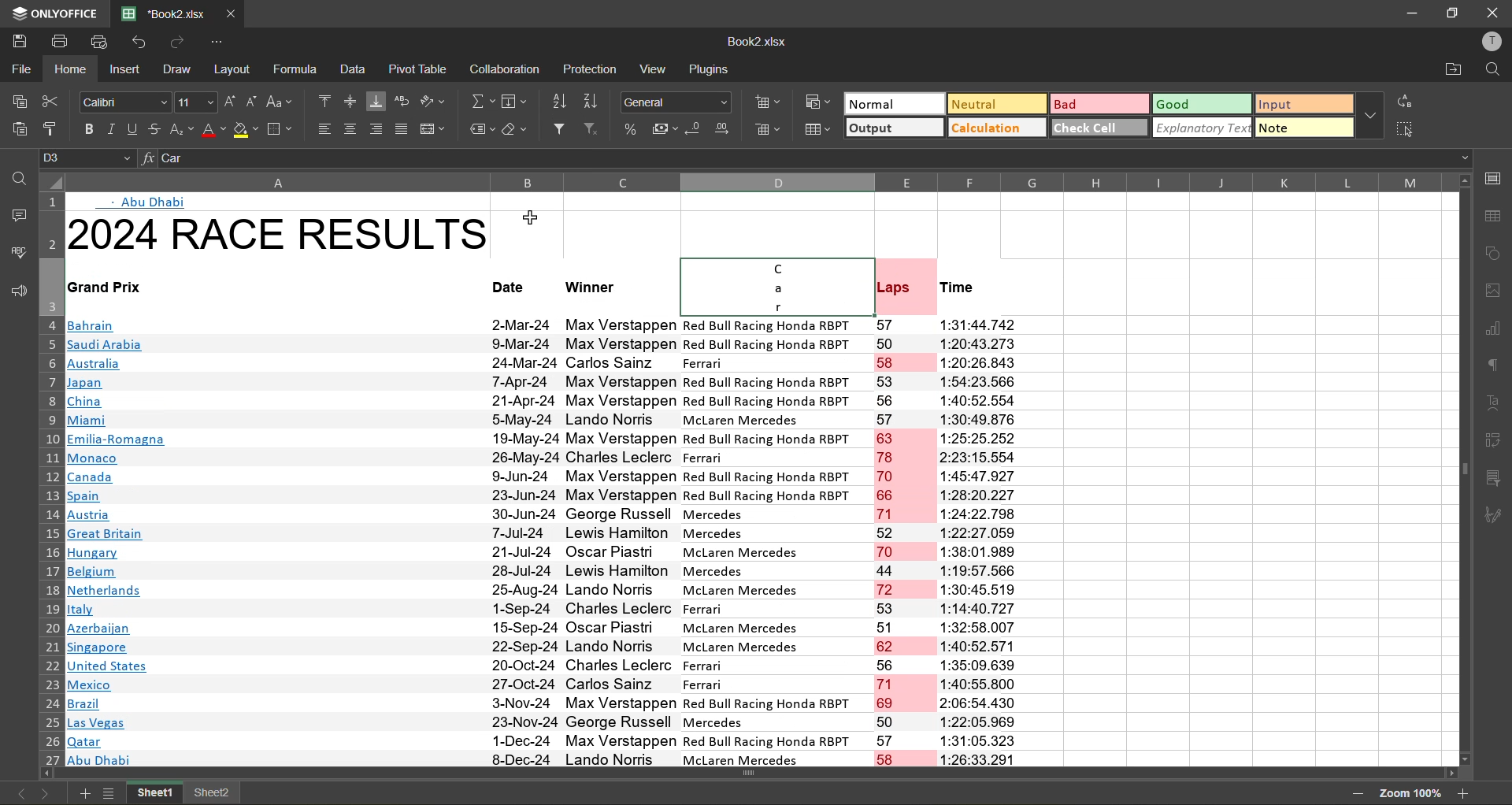 The width and height of the screenshot is (1512, 805). Describe the element at coordinates (1099, 105) in the screenshot. I see `bad` at that location.